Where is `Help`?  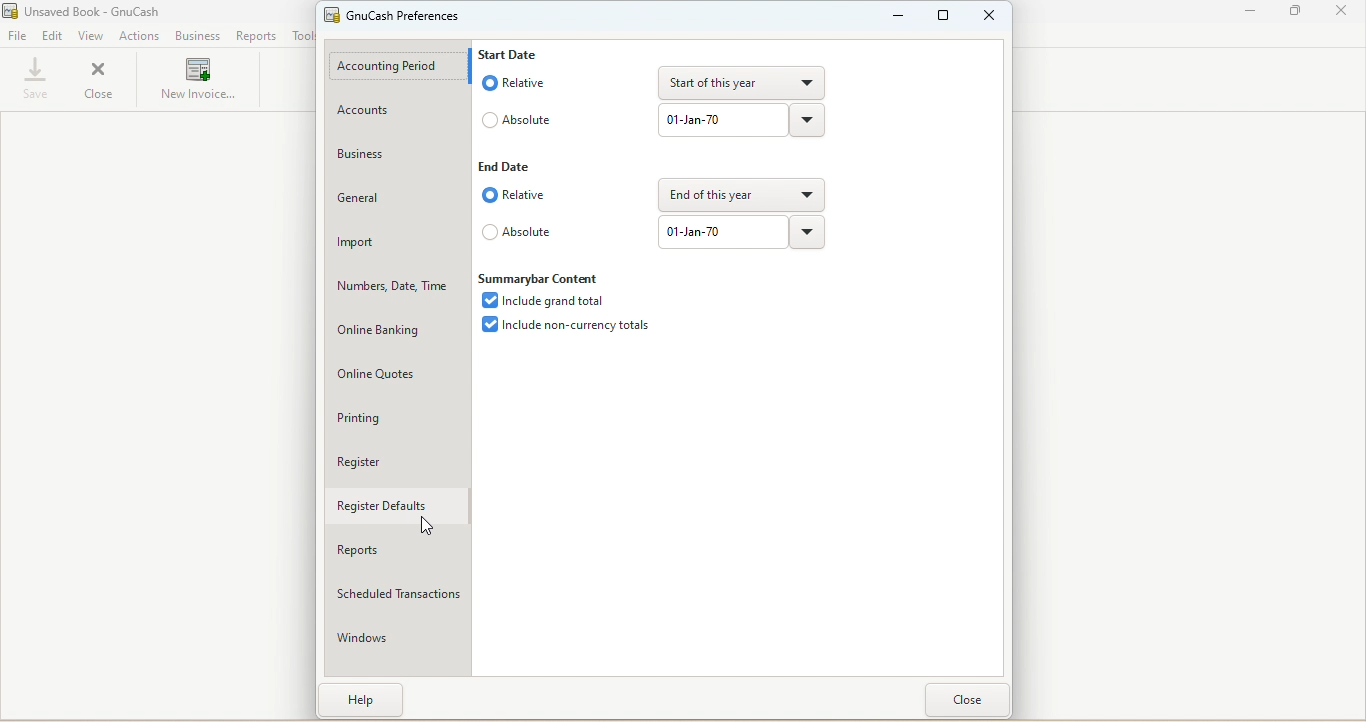
Help is located at coordinates (365, 701).